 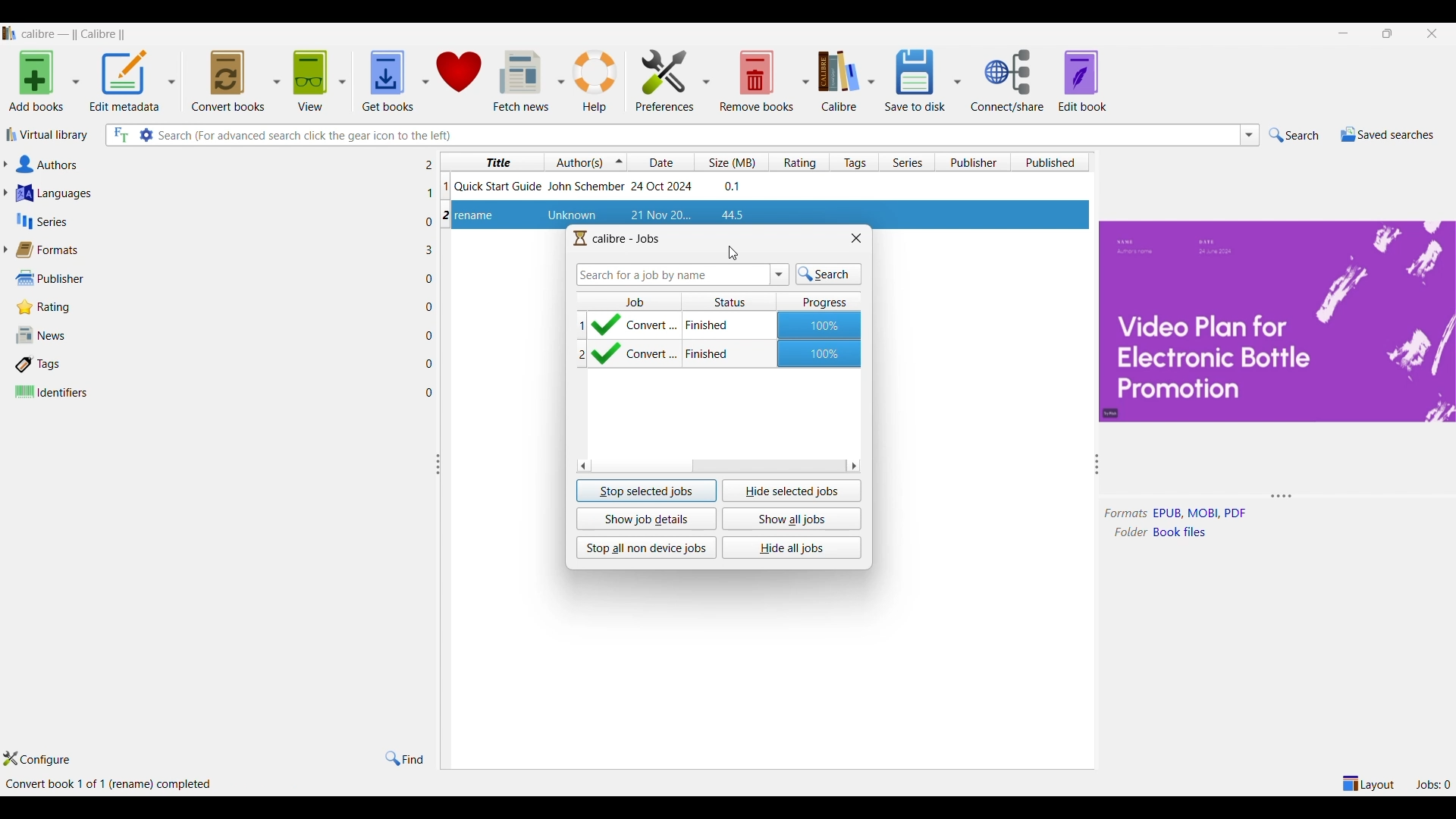 What do you see at coordinates (342, 80) in the screenshot?
I see `View options` at bounding box center [342, 80].